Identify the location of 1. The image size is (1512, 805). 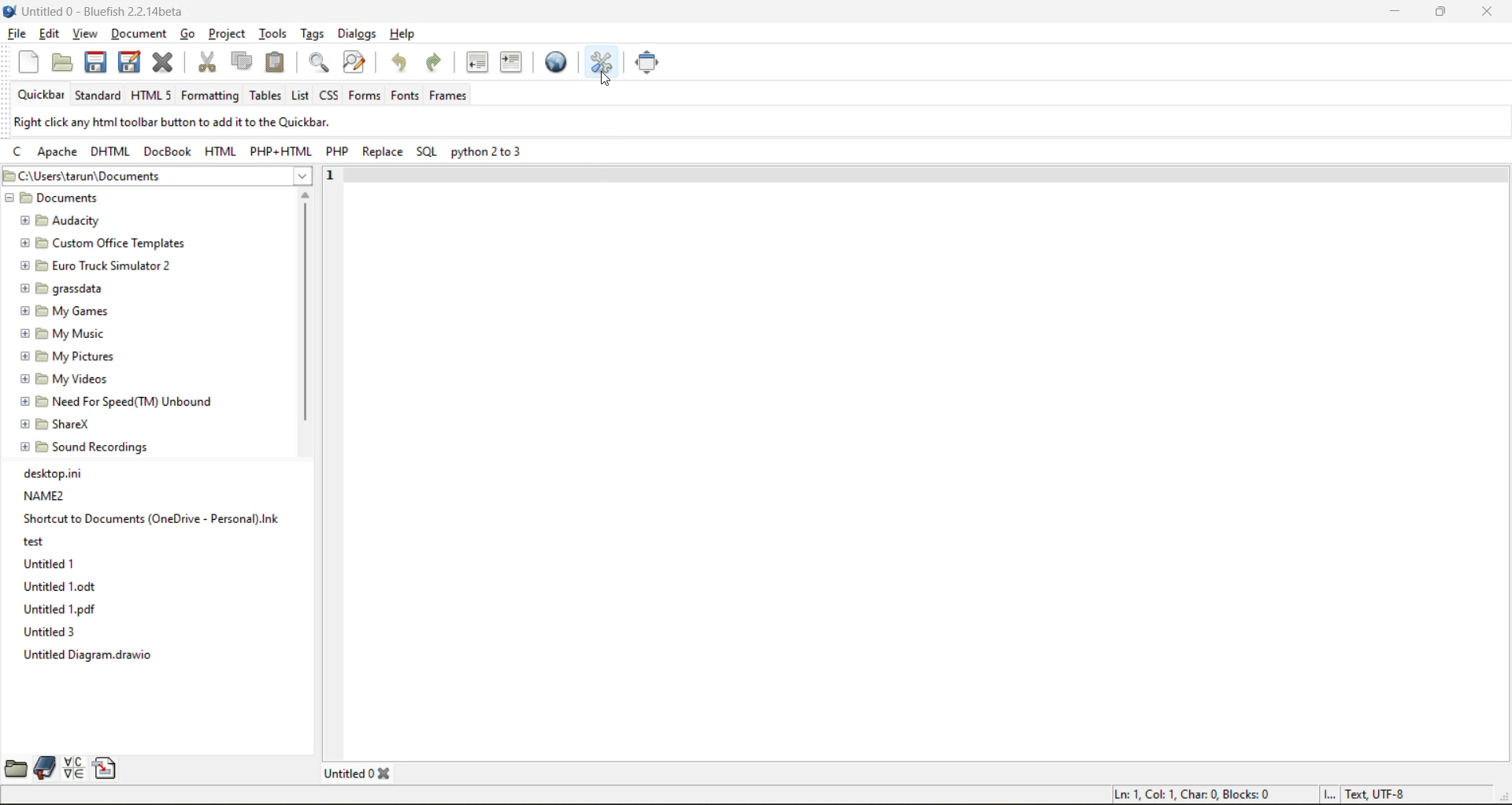
(326, 172).